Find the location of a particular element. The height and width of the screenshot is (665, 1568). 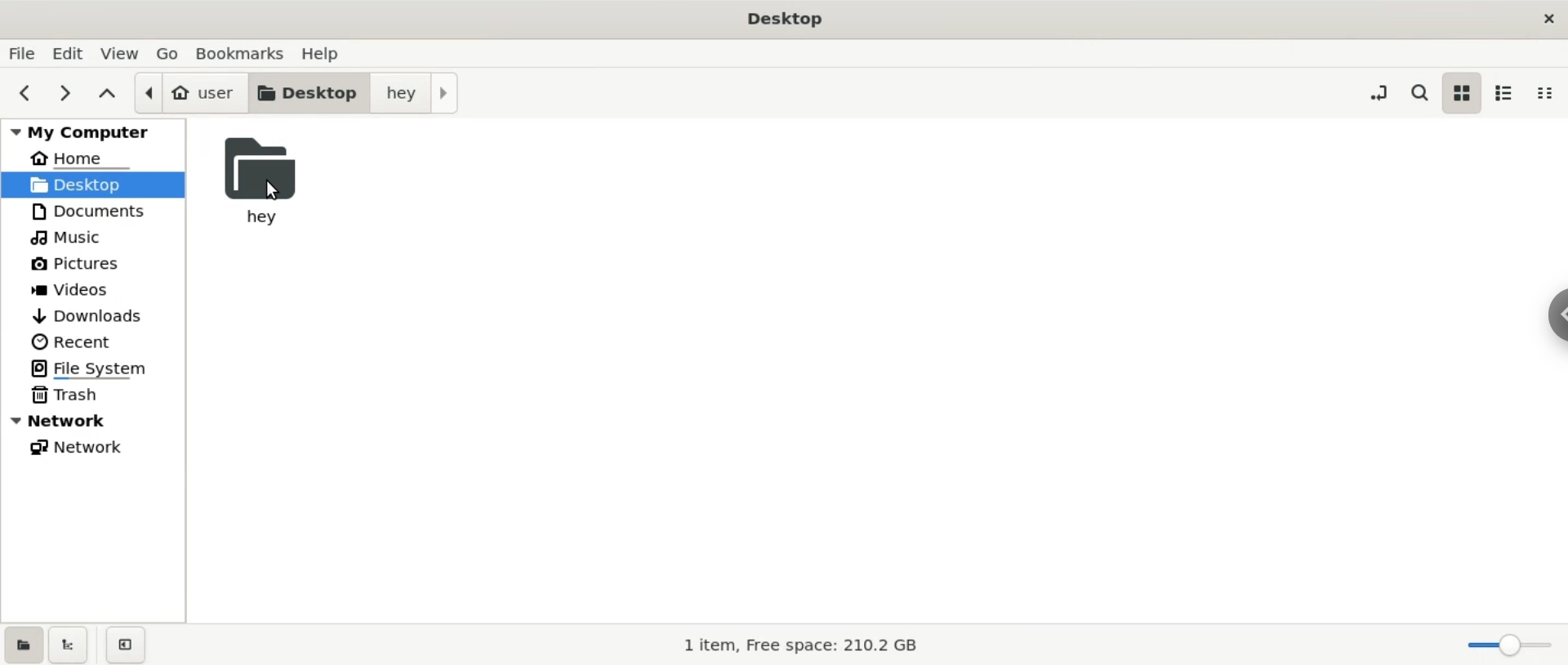

1 item, Free space: 210.2 GB is located at coordinates (796, 643).